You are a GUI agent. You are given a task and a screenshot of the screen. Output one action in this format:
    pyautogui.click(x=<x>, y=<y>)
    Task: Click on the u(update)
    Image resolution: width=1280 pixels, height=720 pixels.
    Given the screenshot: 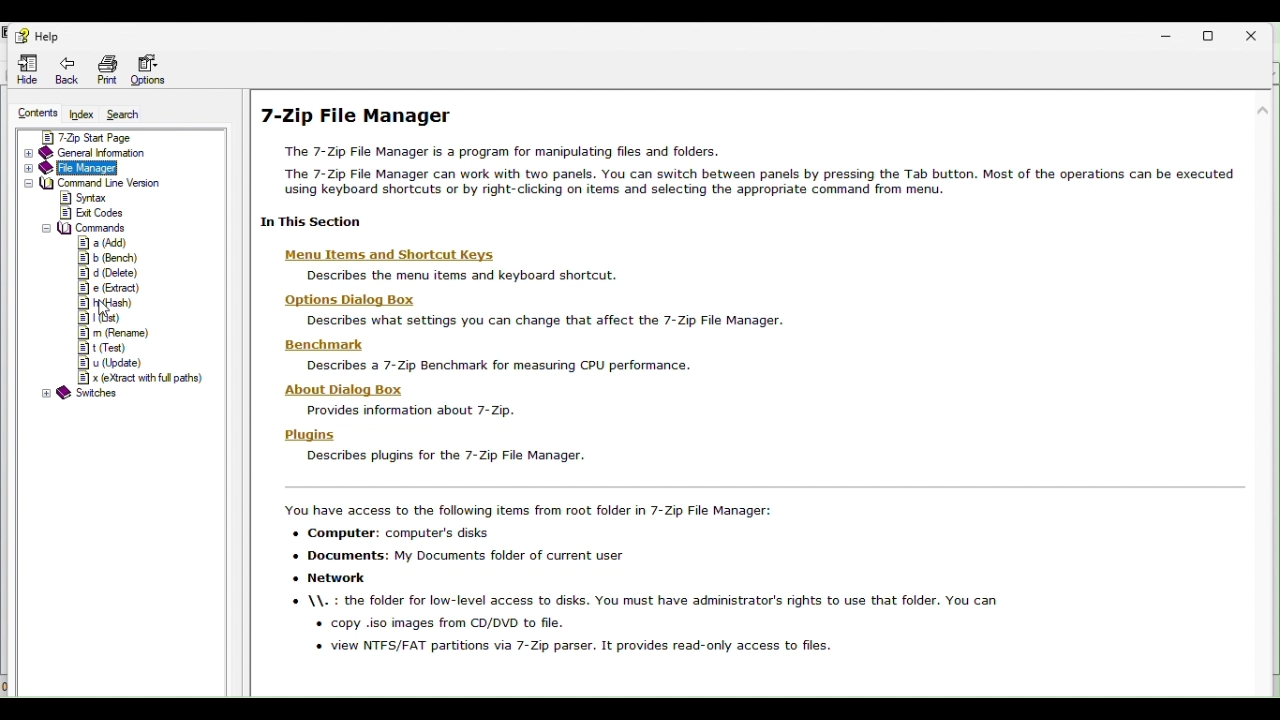 What is the action you would take?
    pyautogui.click(x=267, y=1077)
    